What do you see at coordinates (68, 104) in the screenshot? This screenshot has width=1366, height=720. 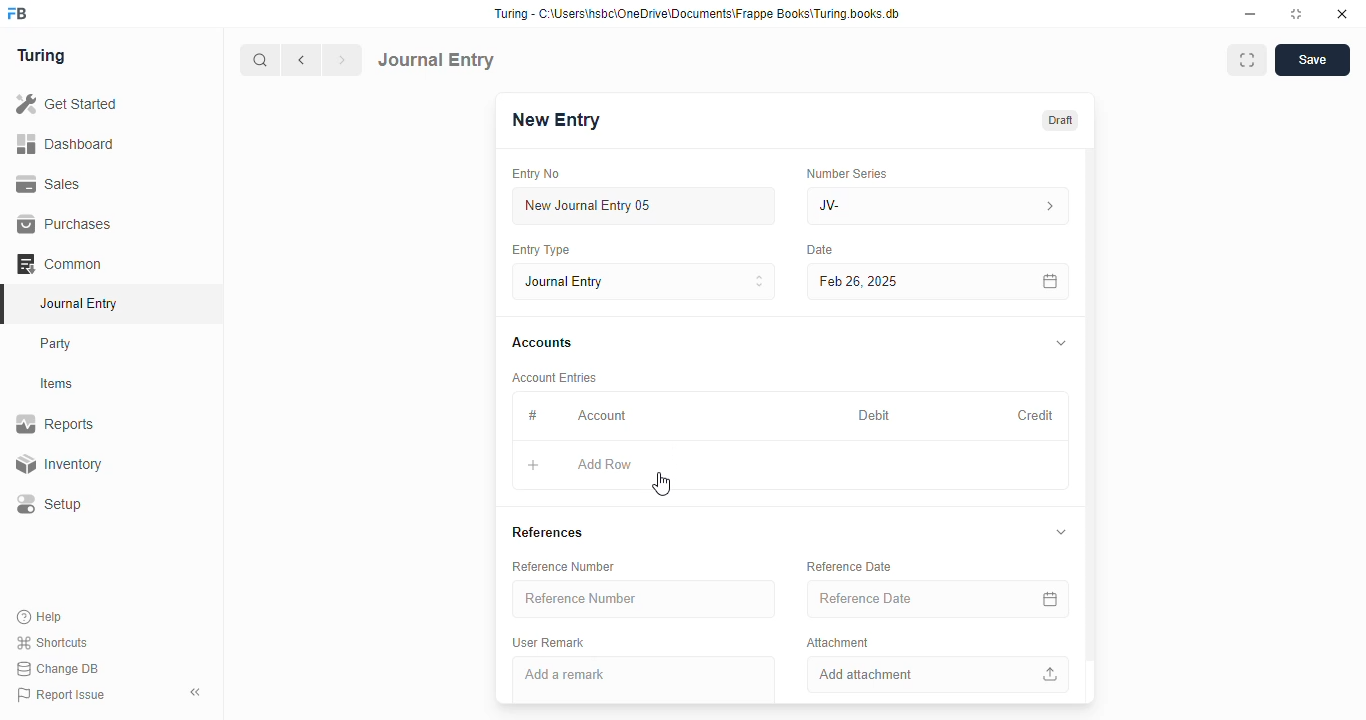 I see `get started` at bounding box center [68, 104].